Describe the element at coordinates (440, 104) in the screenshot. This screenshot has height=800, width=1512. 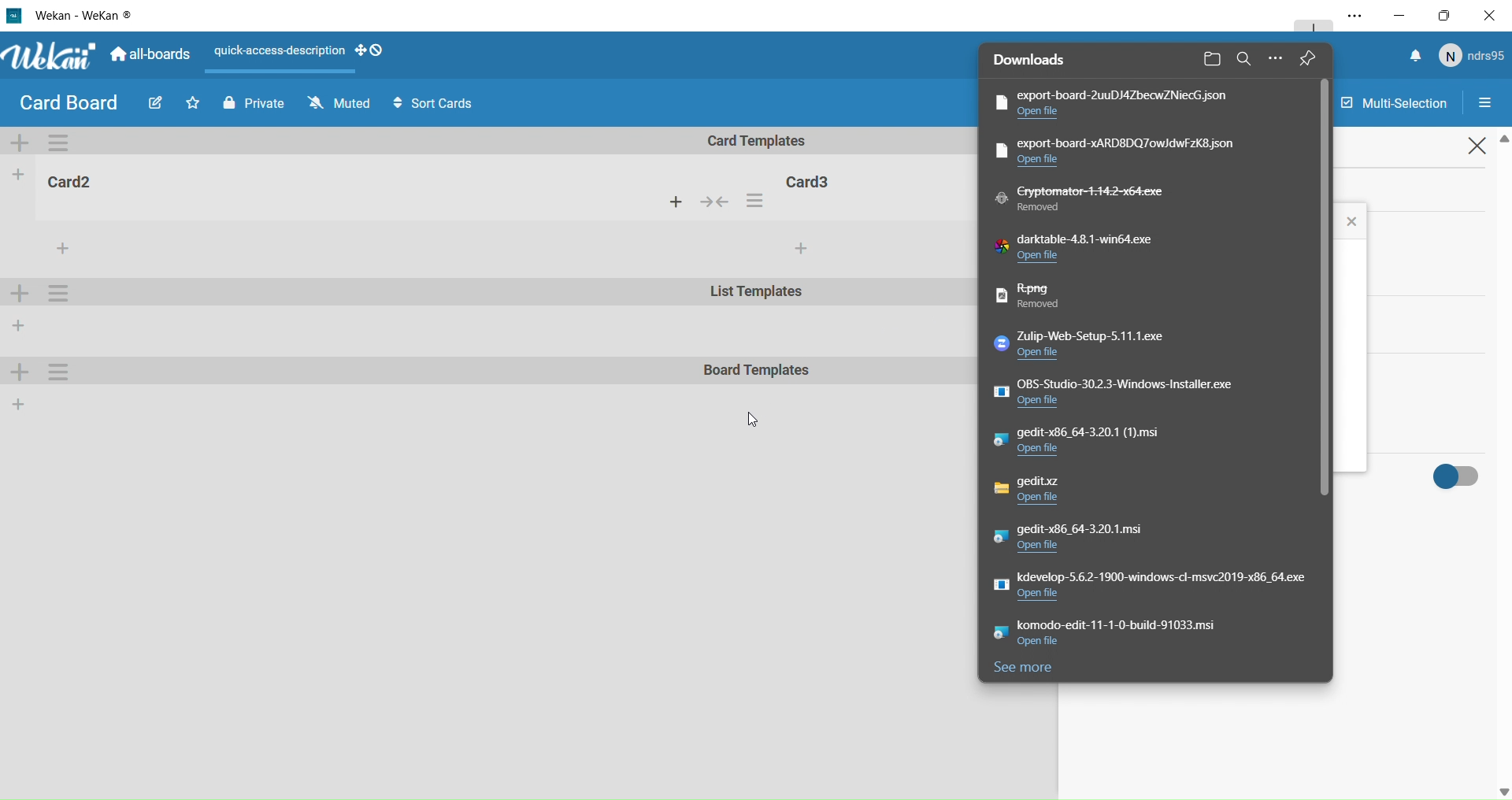
I see `Sort Cards` at that location.